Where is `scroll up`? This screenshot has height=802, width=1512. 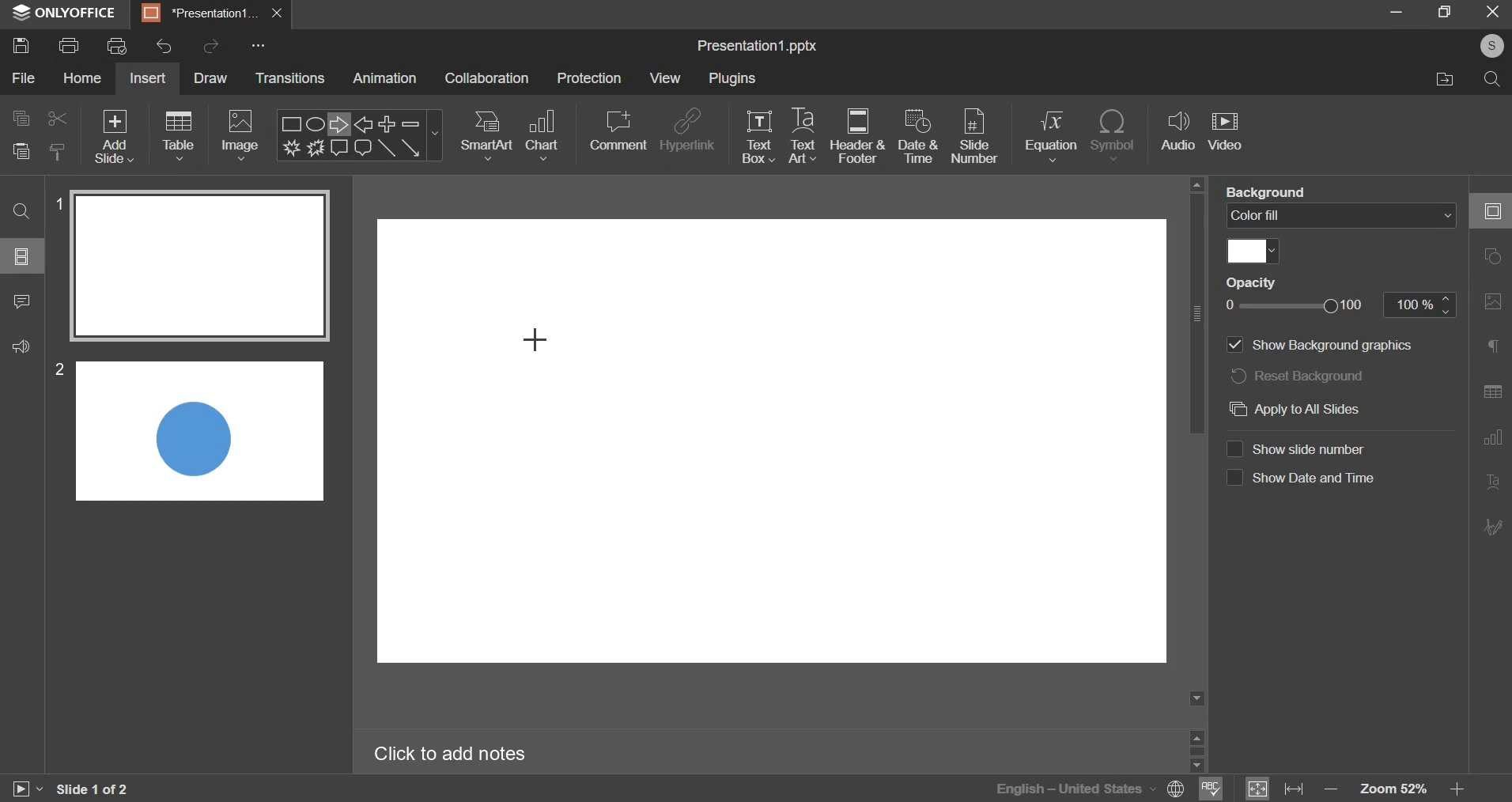 scroll up is located at coordinates (1197, 183).